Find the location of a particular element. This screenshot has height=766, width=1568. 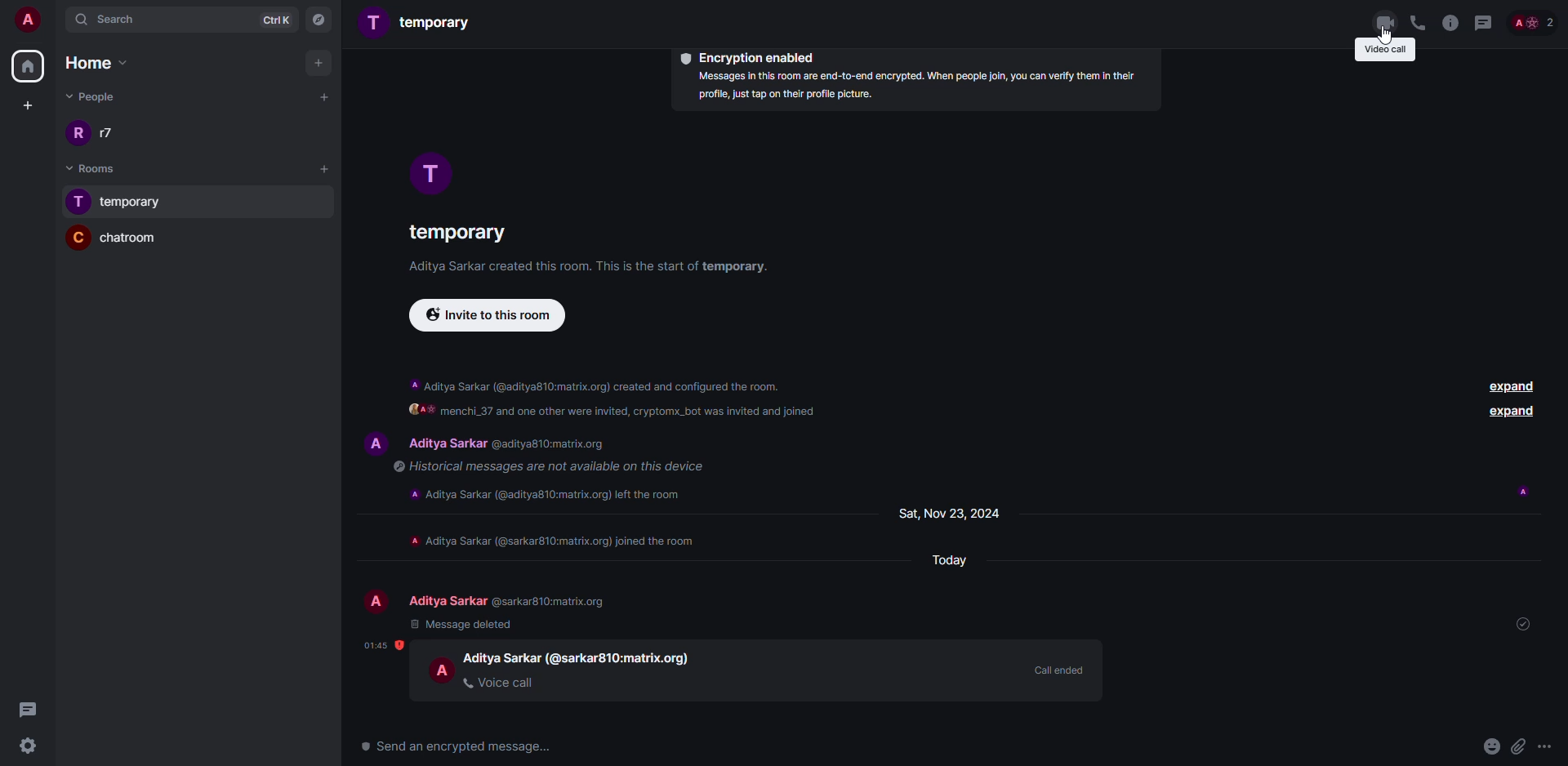

info is located at coordinates (557, 541).